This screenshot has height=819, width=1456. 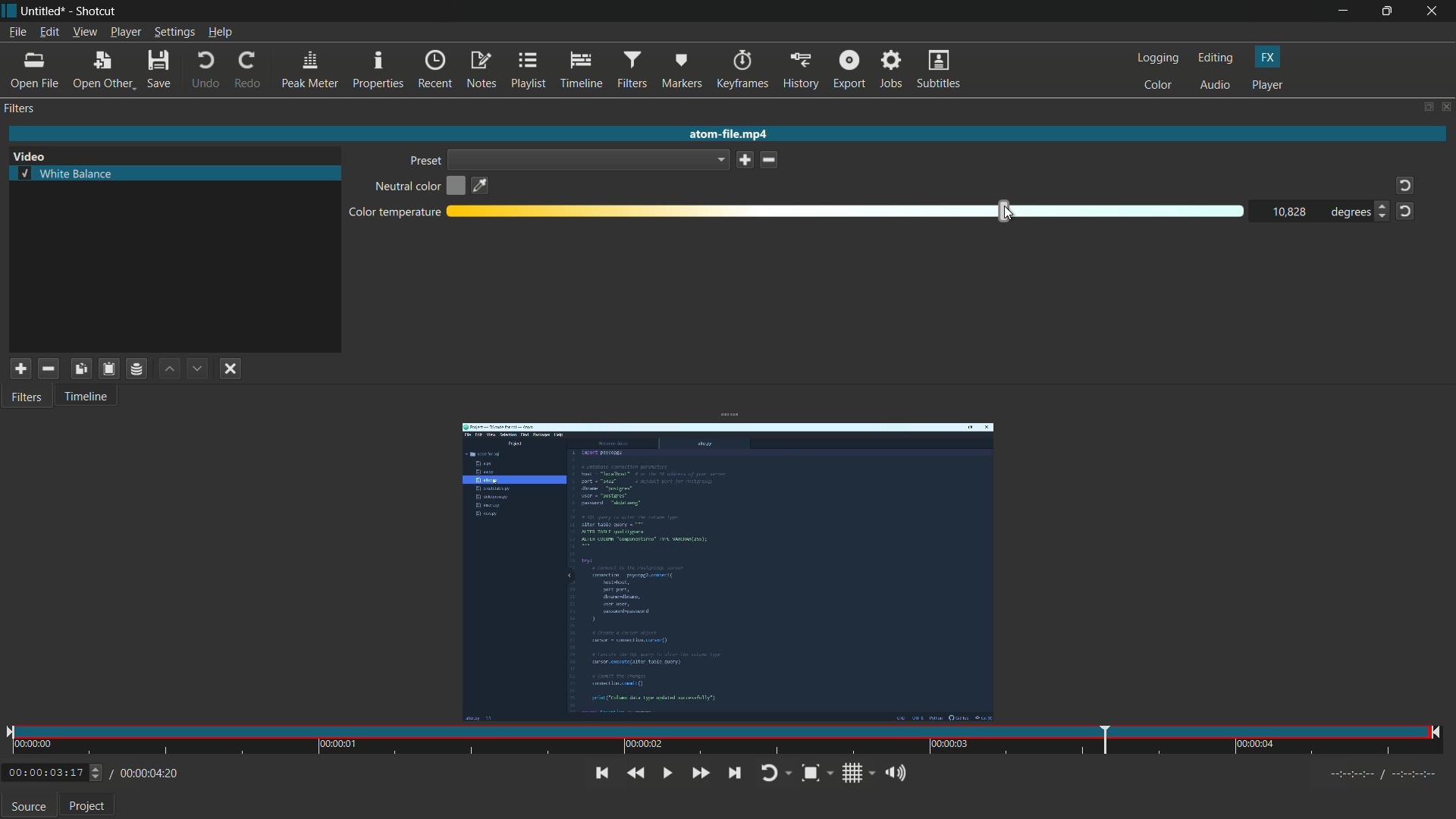 What do you see at coordinates (599, 772) in the screenshot?
I see `skip to previous point` at bounding box center [599, 772].